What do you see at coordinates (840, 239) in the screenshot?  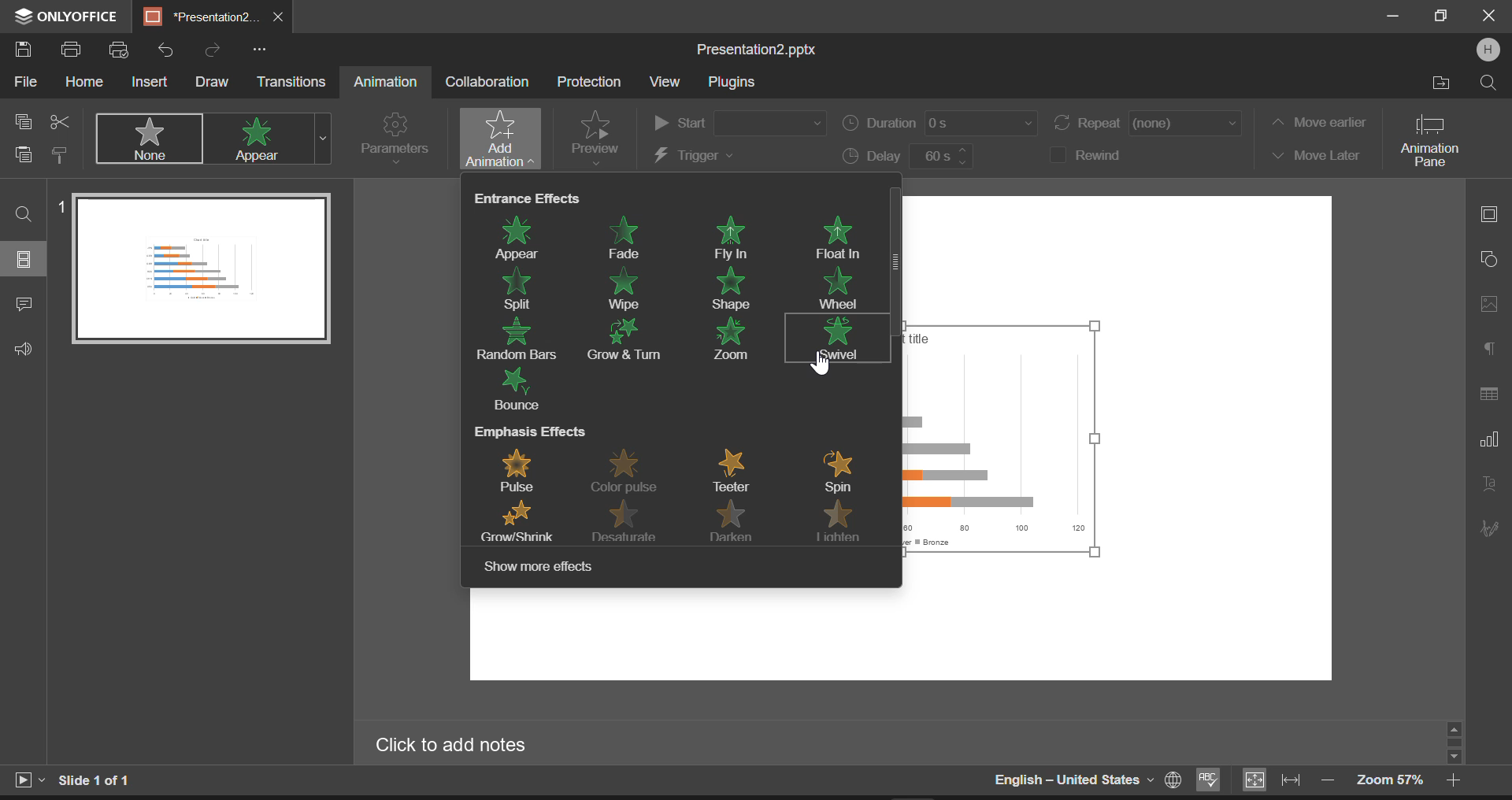 I see `Float In` at bounding box center [840, 239].